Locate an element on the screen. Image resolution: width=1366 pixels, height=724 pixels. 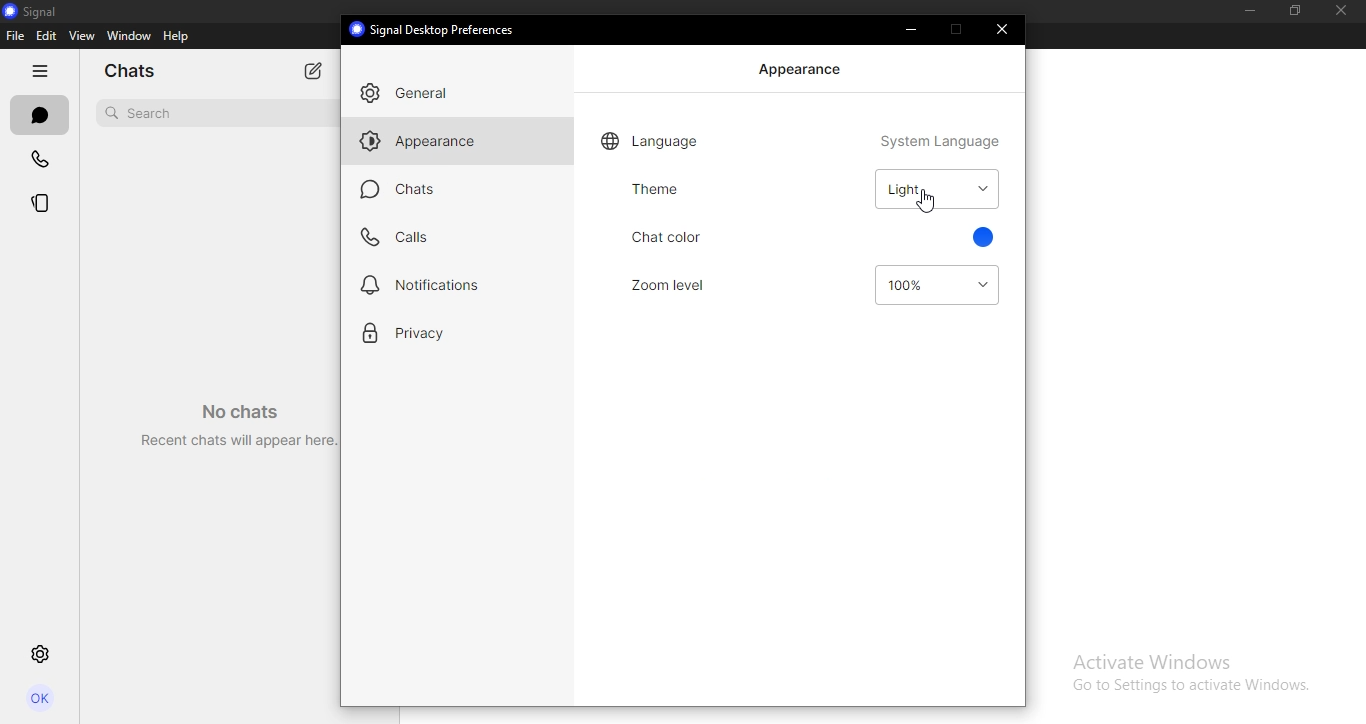
stories is located at coordinates (41, 202).